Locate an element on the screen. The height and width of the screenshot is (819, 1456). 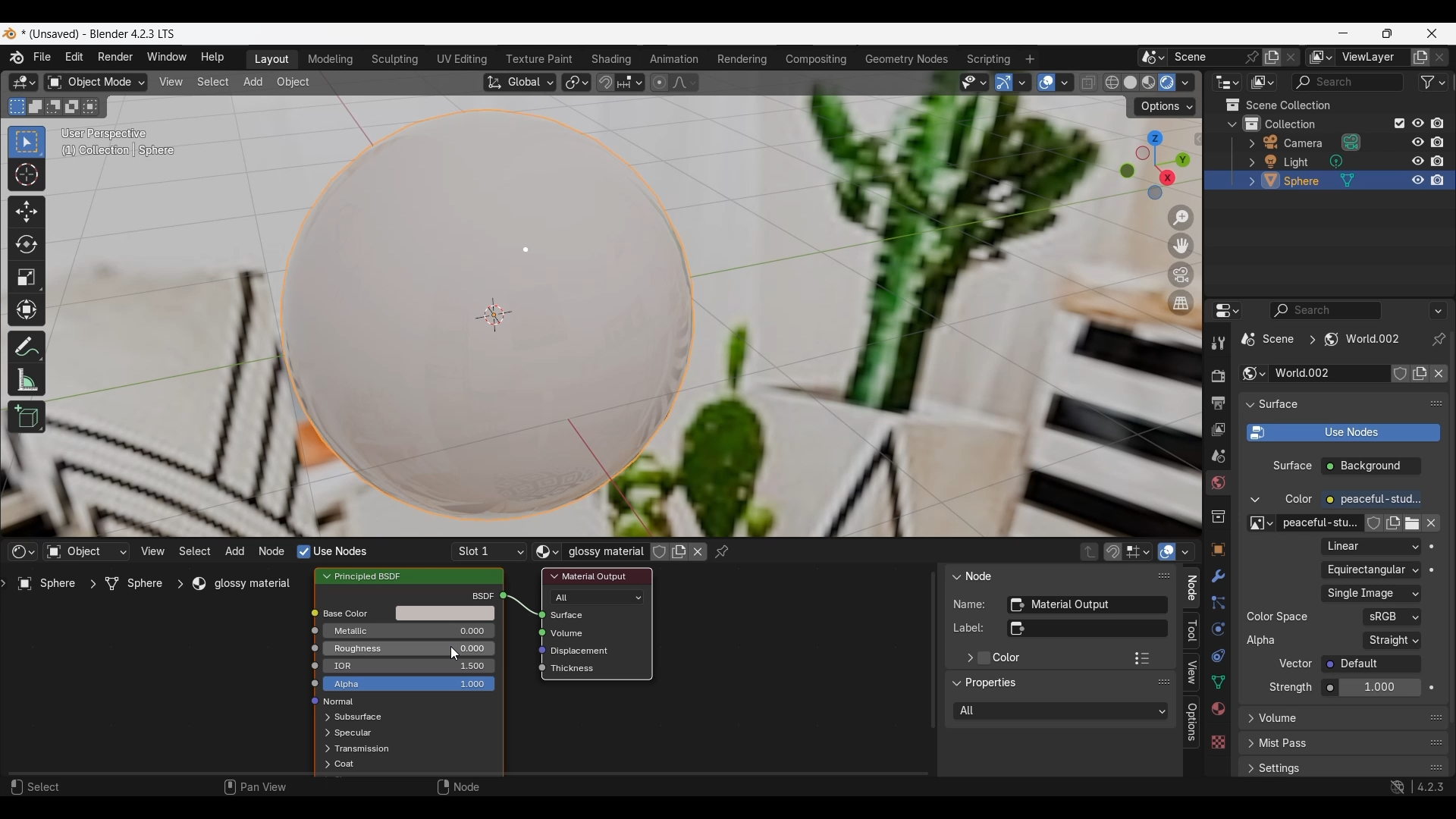
Nodes to render material is located at coordinates (331, 551).